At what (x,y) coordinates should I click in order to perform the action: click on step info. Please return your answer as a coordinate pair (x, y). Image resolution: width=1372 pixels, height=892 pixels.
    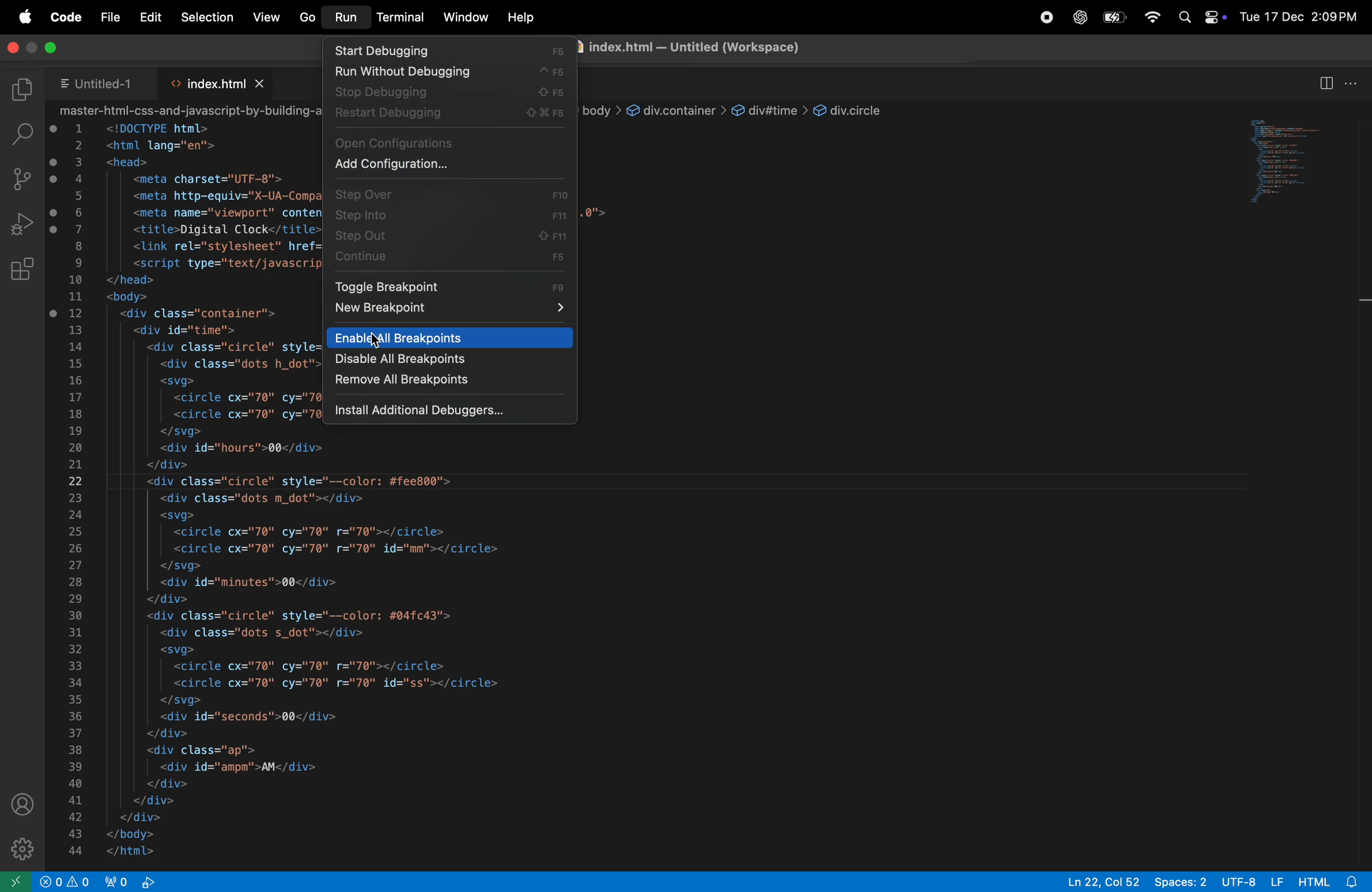
    Looking at the image, I should click on (448, 218).